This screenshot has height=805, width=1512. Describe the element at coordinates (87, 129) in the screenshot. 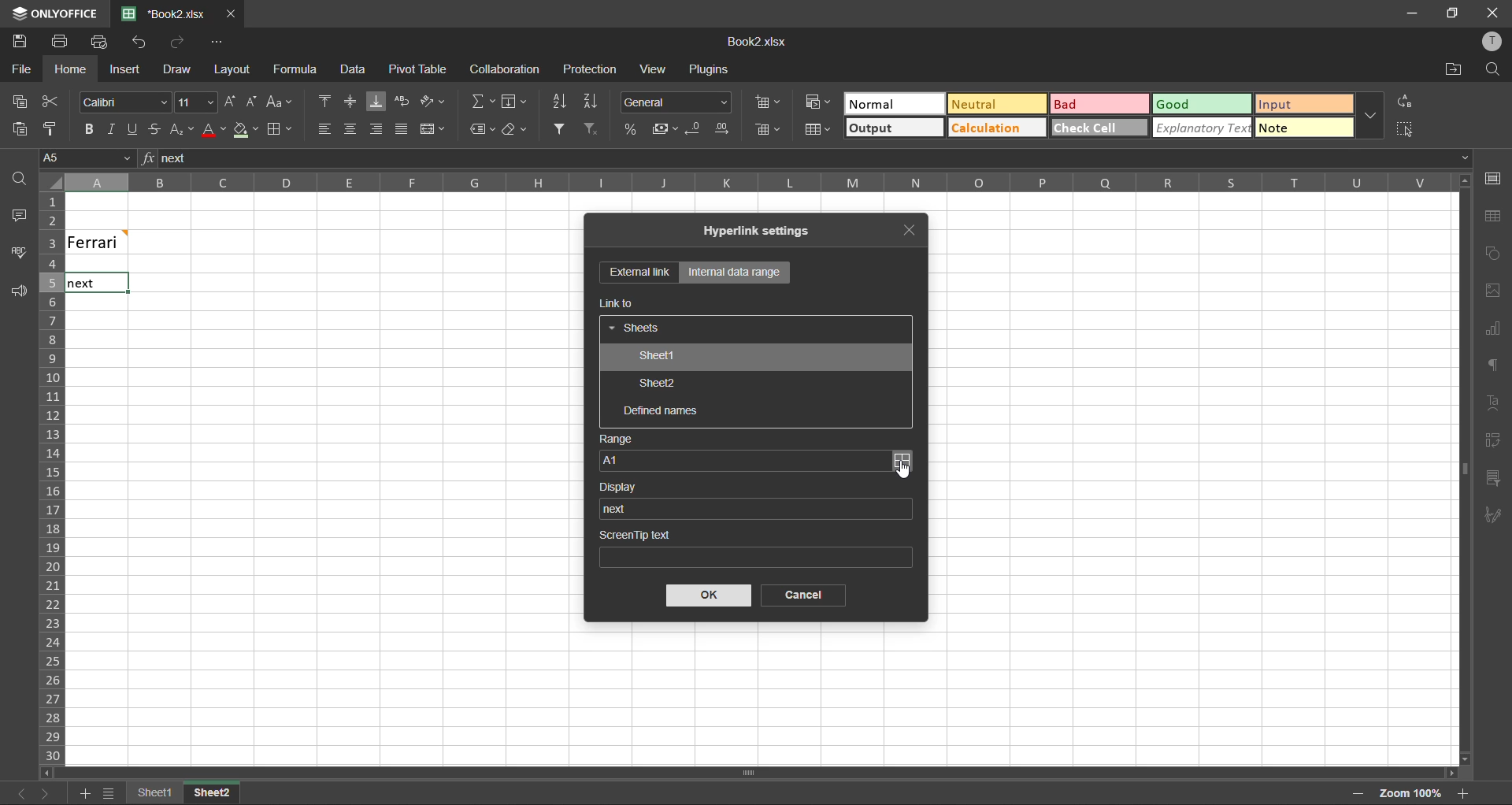

I see `bold` at that location.